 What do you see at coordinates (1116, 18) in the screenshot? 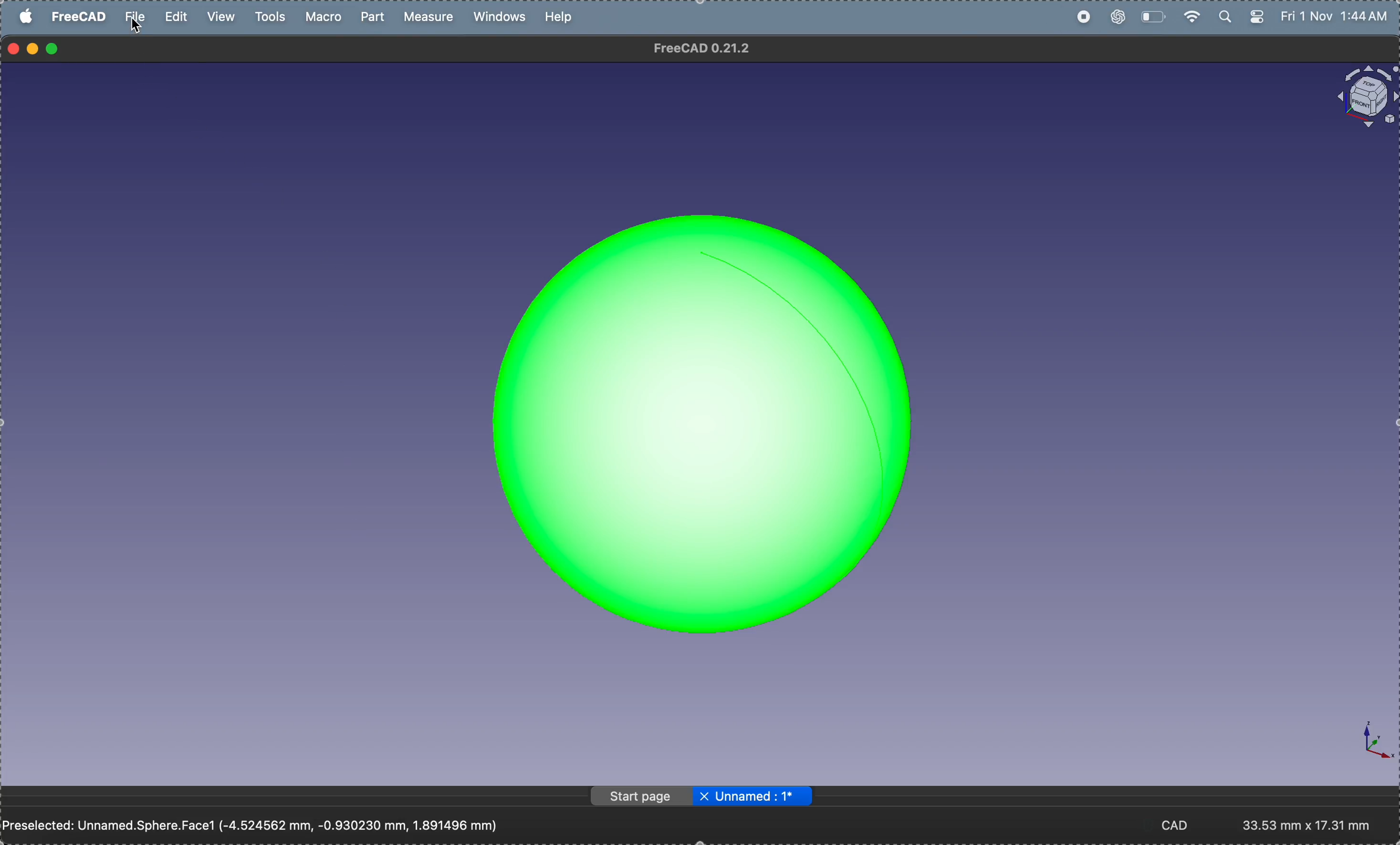
I see `chatgpt` at bounding box center [1116, 18].